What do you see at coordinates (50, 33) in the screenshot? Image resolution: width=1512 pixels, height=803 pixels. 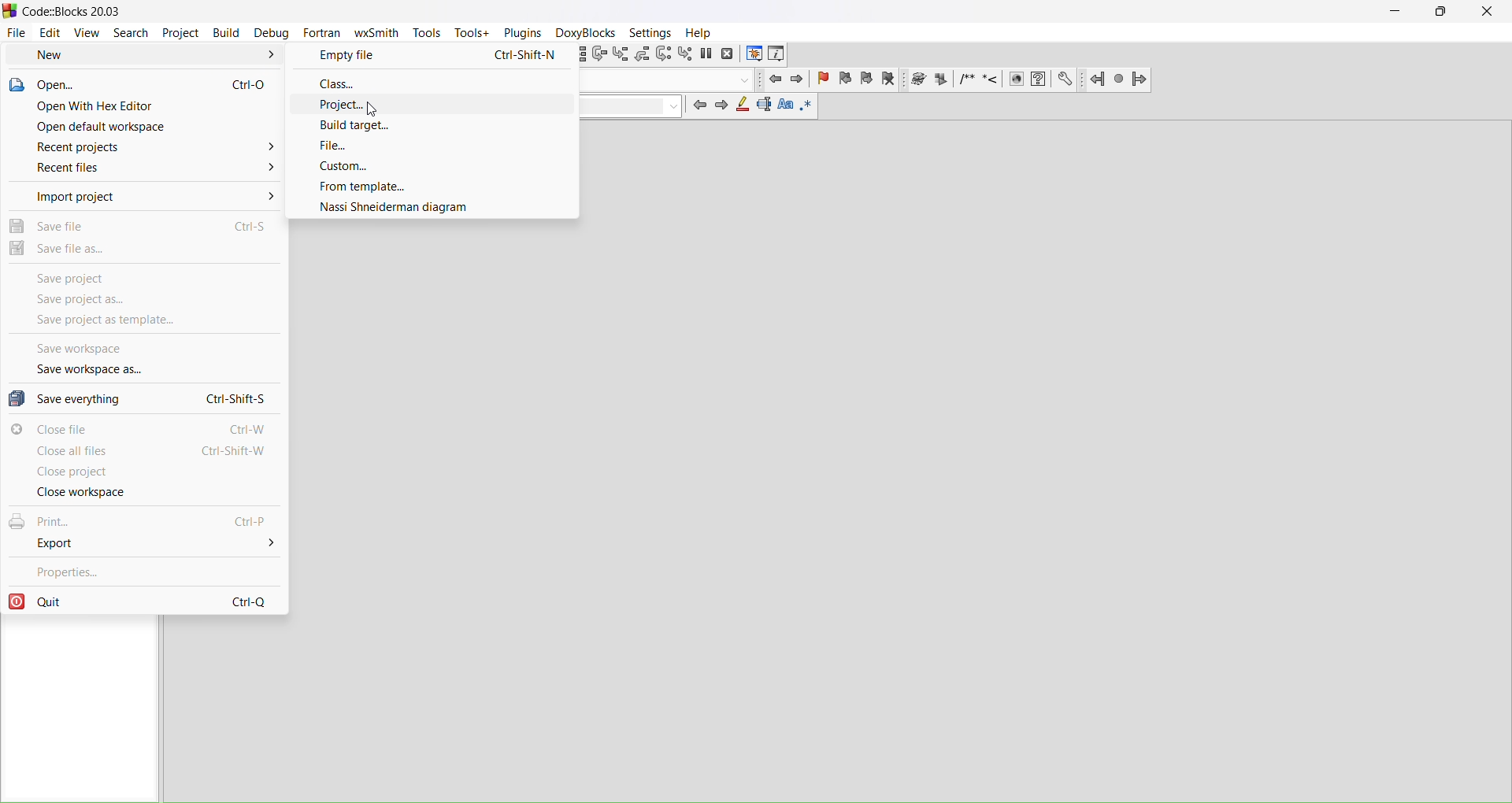 I see `edit` at bounding box center [50, 33].